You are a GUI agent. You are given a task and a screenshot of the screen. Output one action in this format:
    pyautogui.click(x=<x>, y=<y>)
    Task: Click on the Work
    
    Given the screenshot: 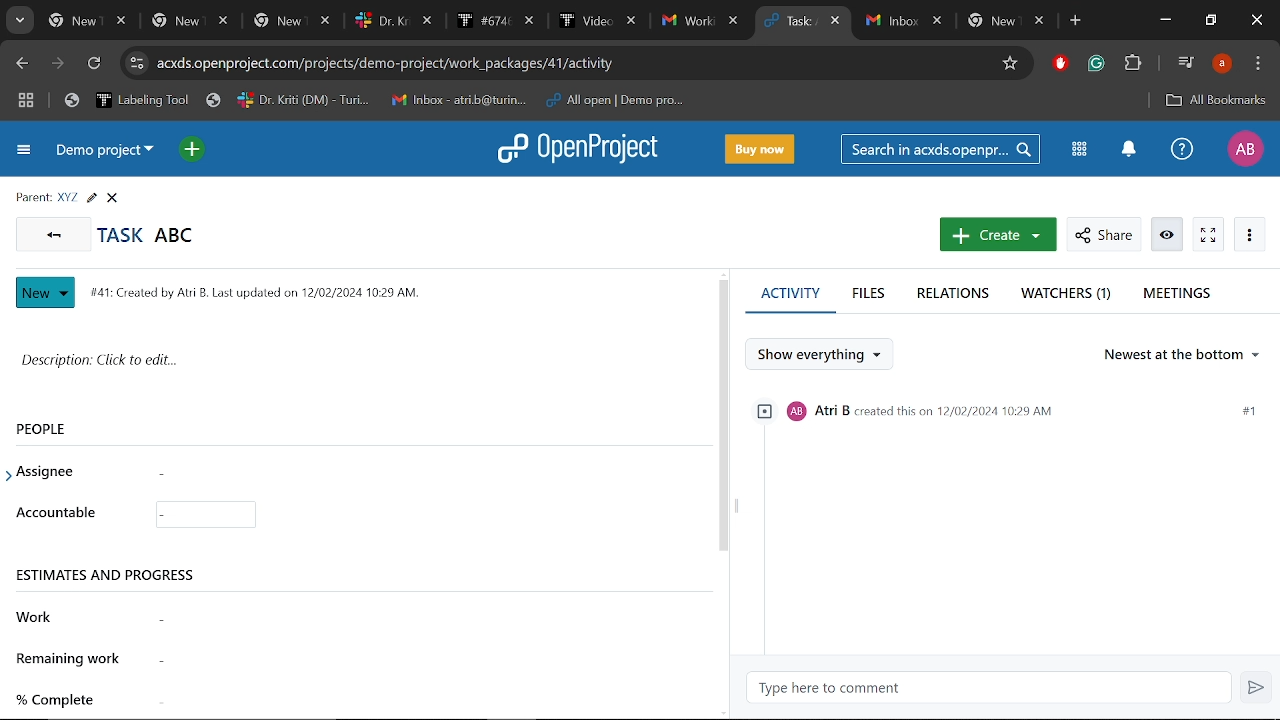 What is the action you would take?
    pyautogui.click(x=318, y=618)
    